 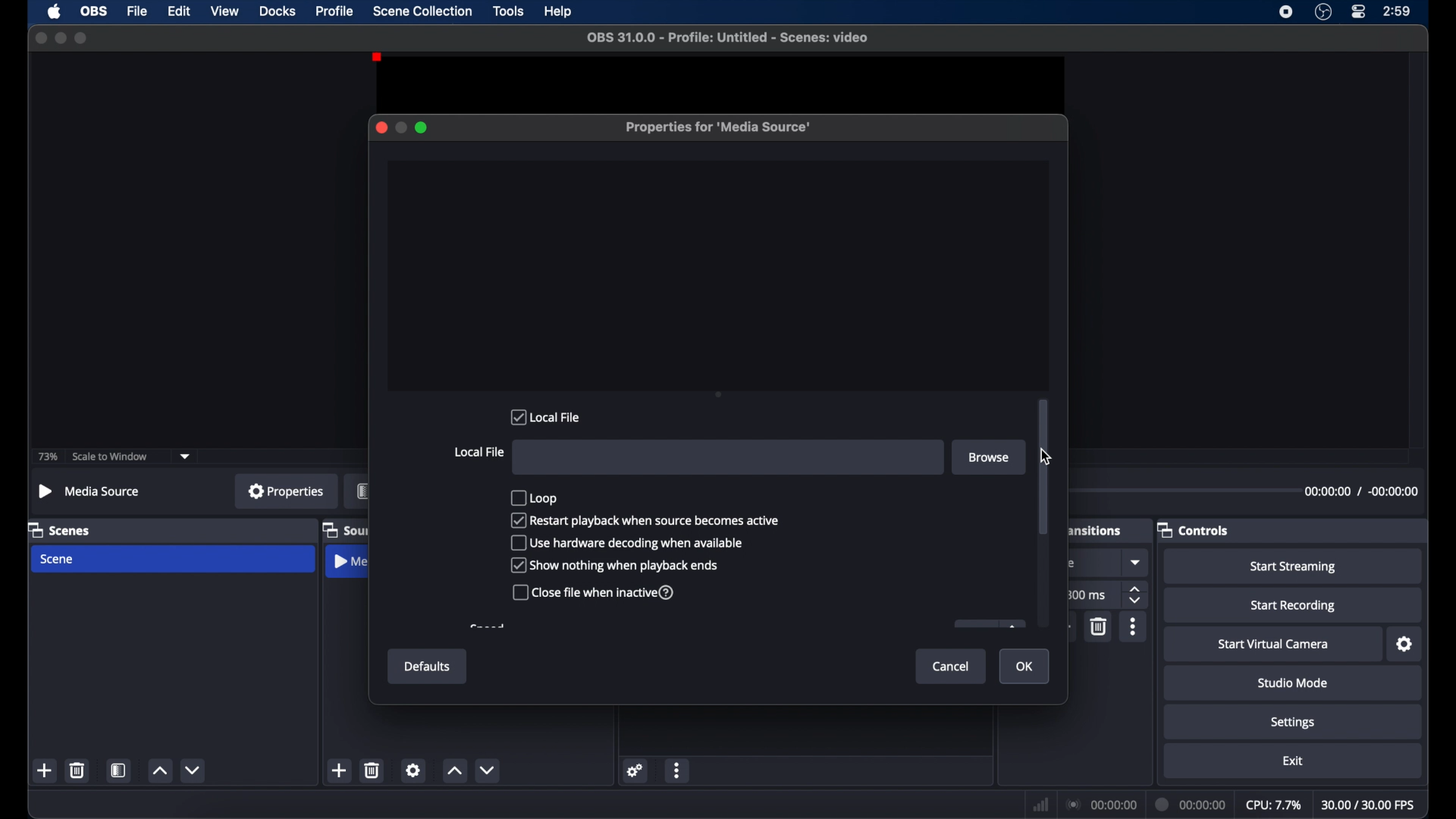 I want to click on screen recorder icon, so click(x=1287, y=12).